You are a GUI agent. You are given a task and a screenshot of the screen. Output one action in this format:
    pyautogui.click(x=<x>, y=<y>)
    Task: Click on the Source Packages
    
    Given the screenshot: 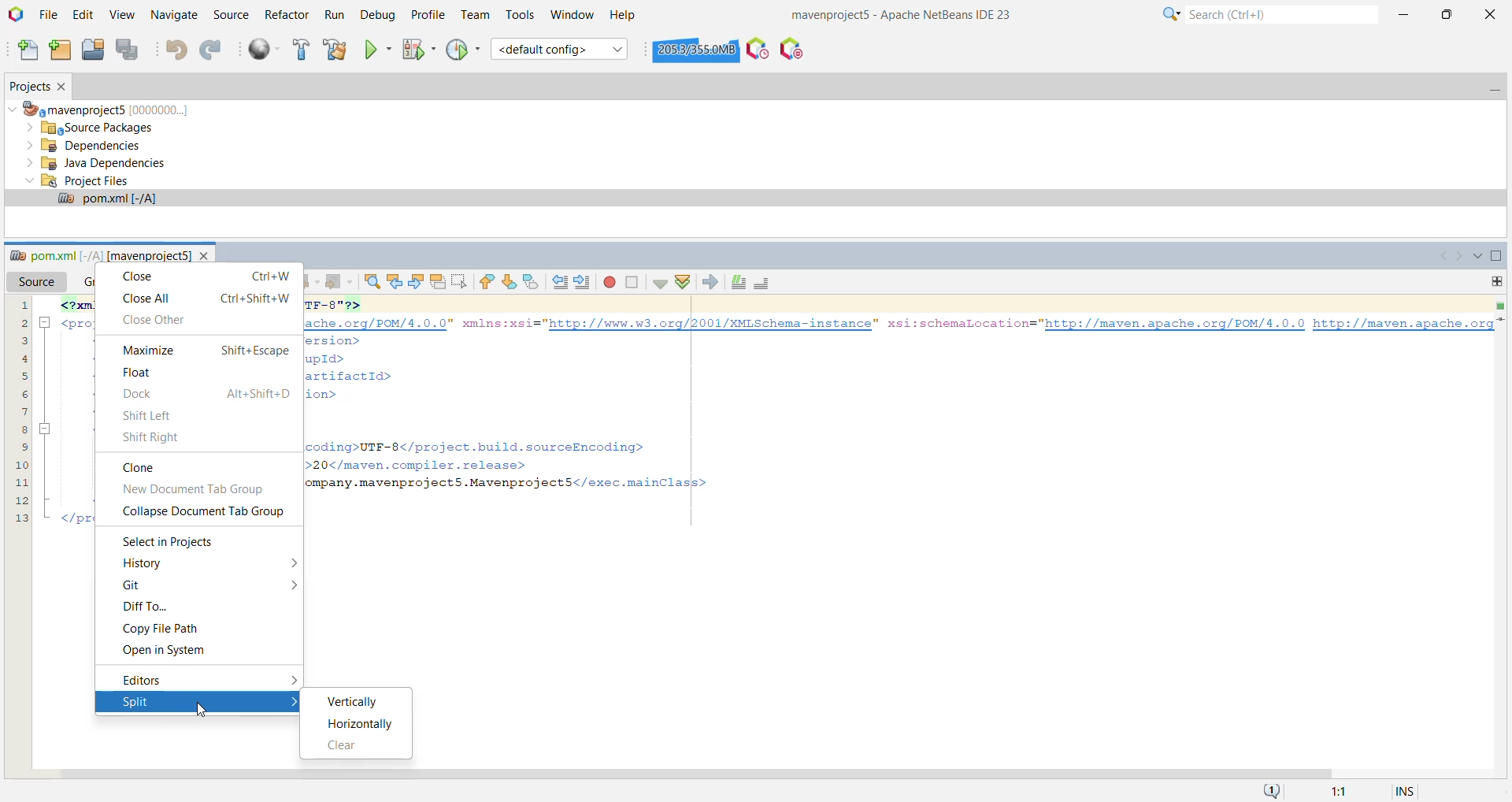 What is the action you would take?
    pyautogui.click(x=97, y=127)
    